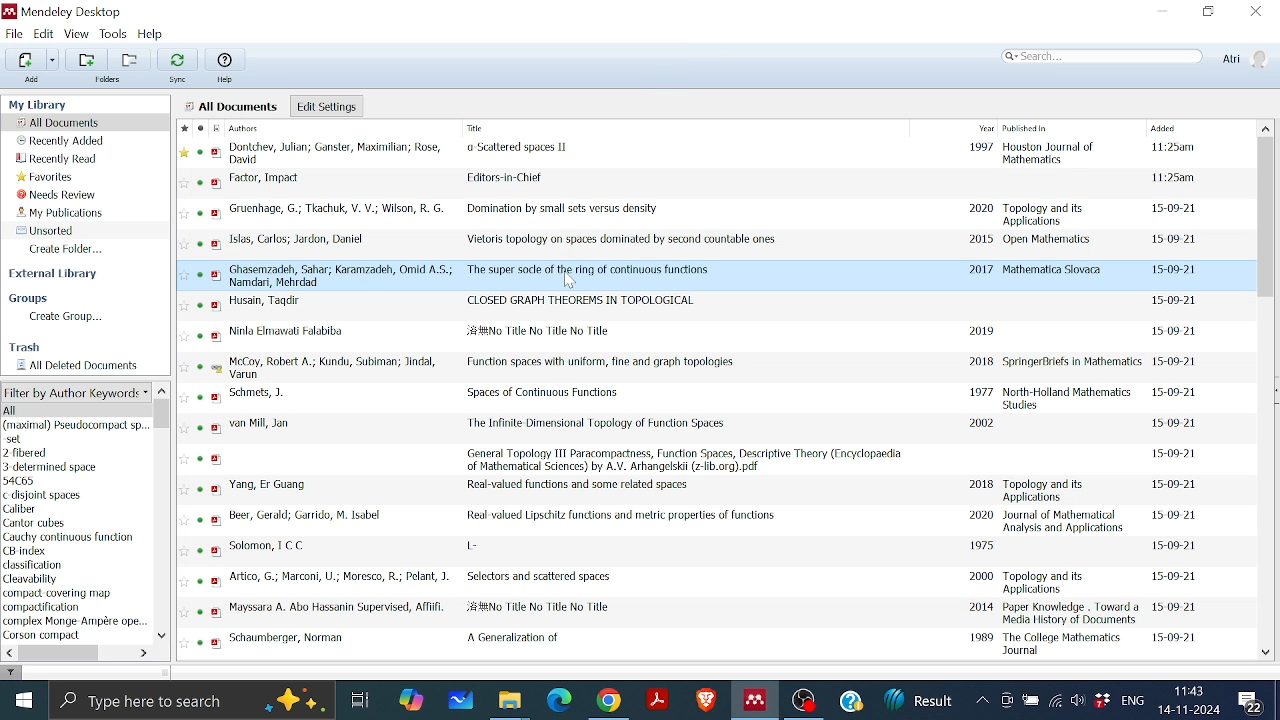 The width and height of the screenshot is (1280, 720). What do you see at coordinates (706, 640) in the screenshot?
I see `A Generation of` at bounding box center [706, 640].